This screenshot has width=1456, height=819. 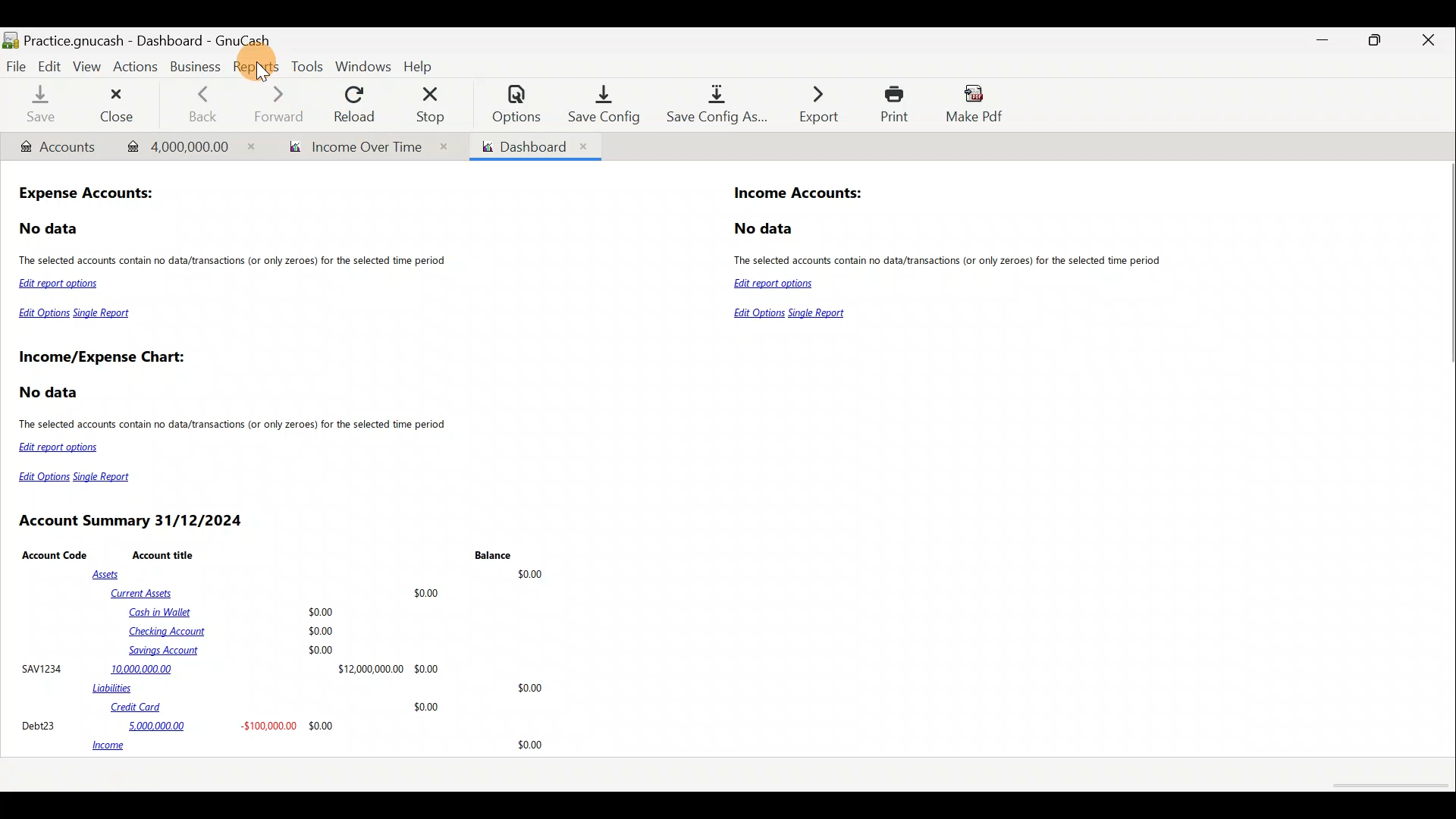 I want to click on Make pdf, so click(x=979, y=106).